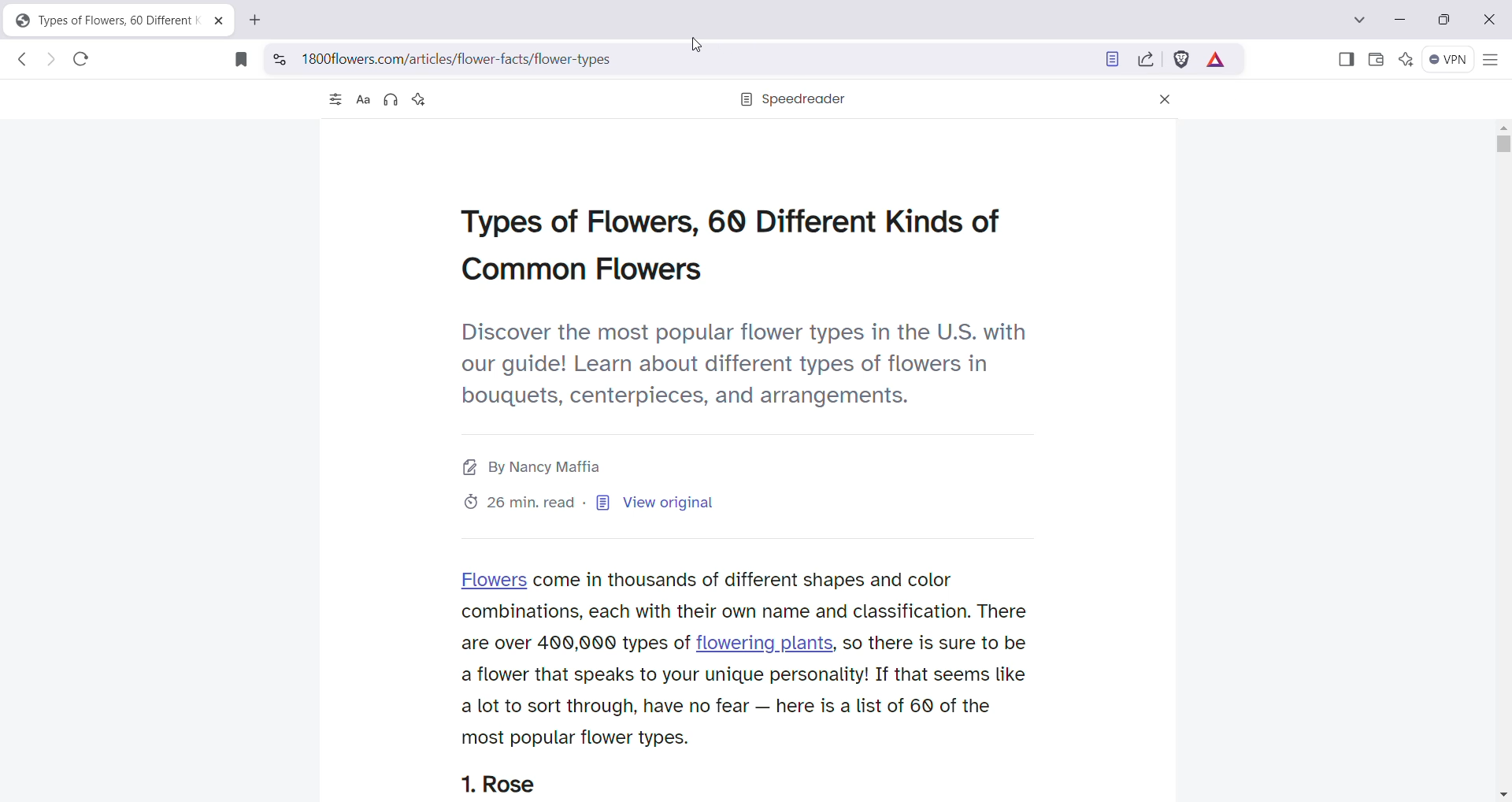 This screenshot has width=1512, height=802. Describe the element at coordinates (1182, 59) in the screenshot. I see `Brave Shields` at that location.